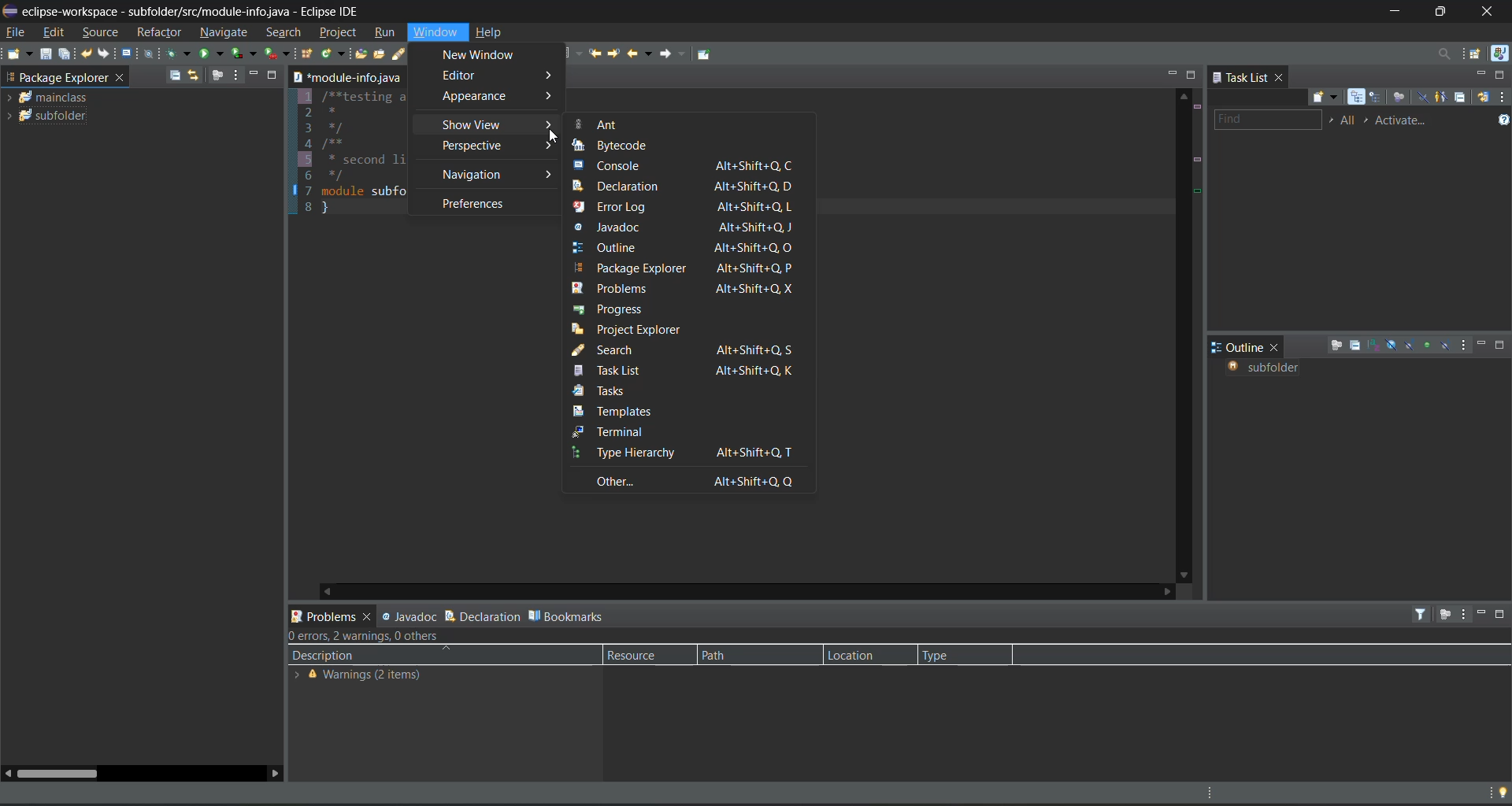 This screenshot has width=1512, height=806. I want to click on view menu, so click(238, 75).